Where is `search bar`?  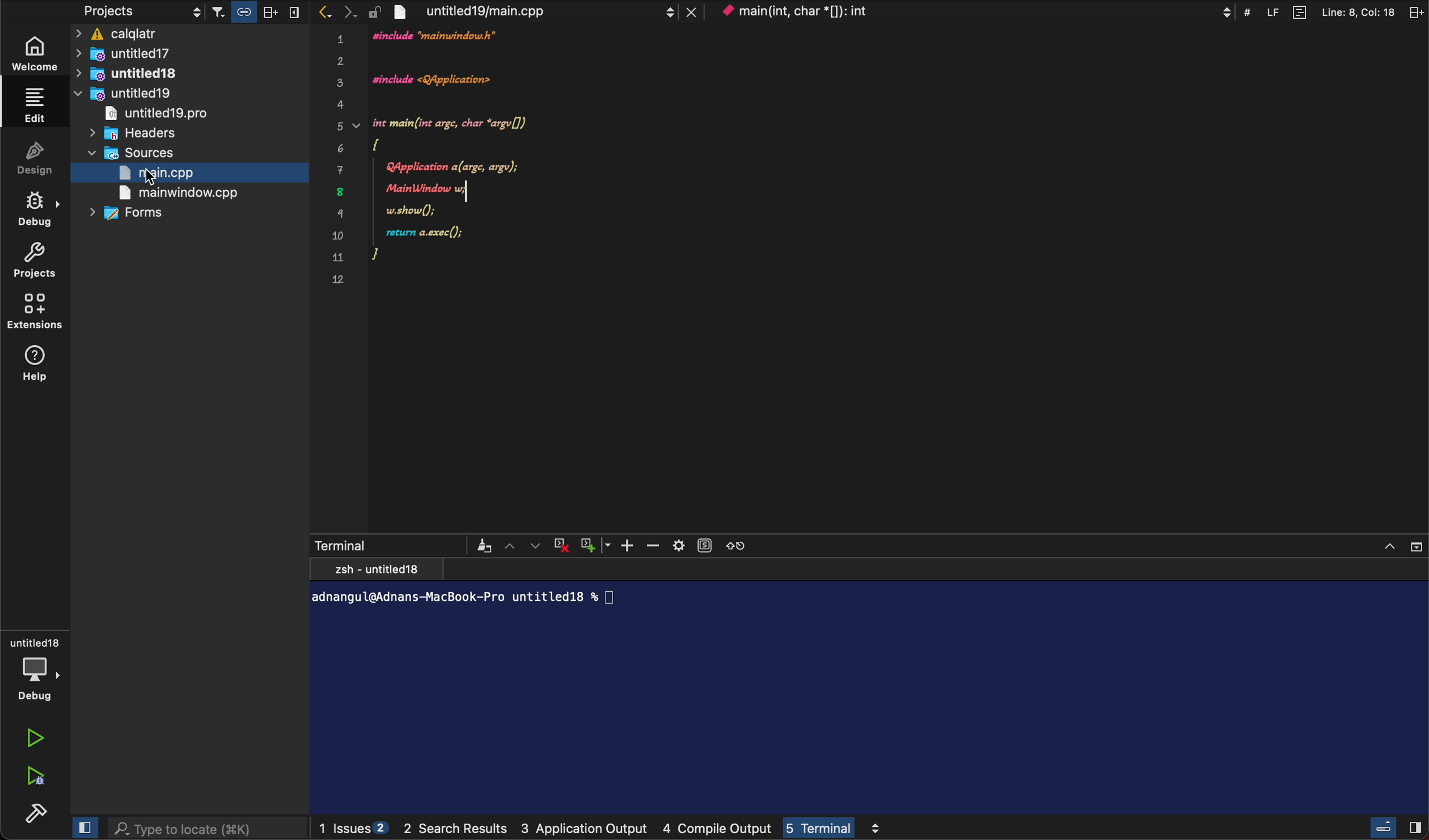 search bar is located at coordinates (208, 829).